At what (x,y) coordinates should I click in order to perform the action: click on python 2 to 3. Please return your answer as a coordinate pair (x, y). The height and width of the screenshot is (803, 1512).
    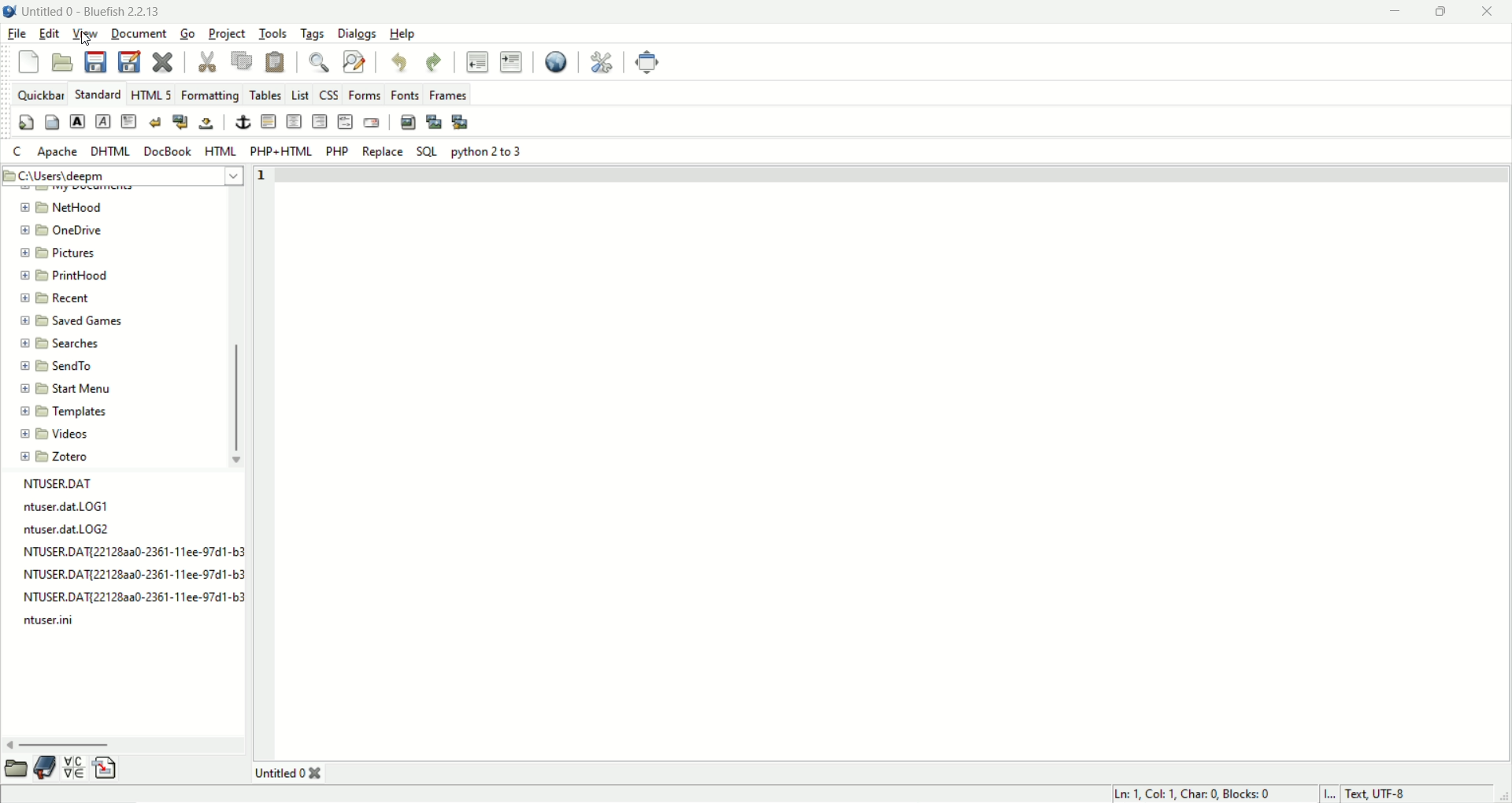
    Looking at the image, I should click on (488, 151).